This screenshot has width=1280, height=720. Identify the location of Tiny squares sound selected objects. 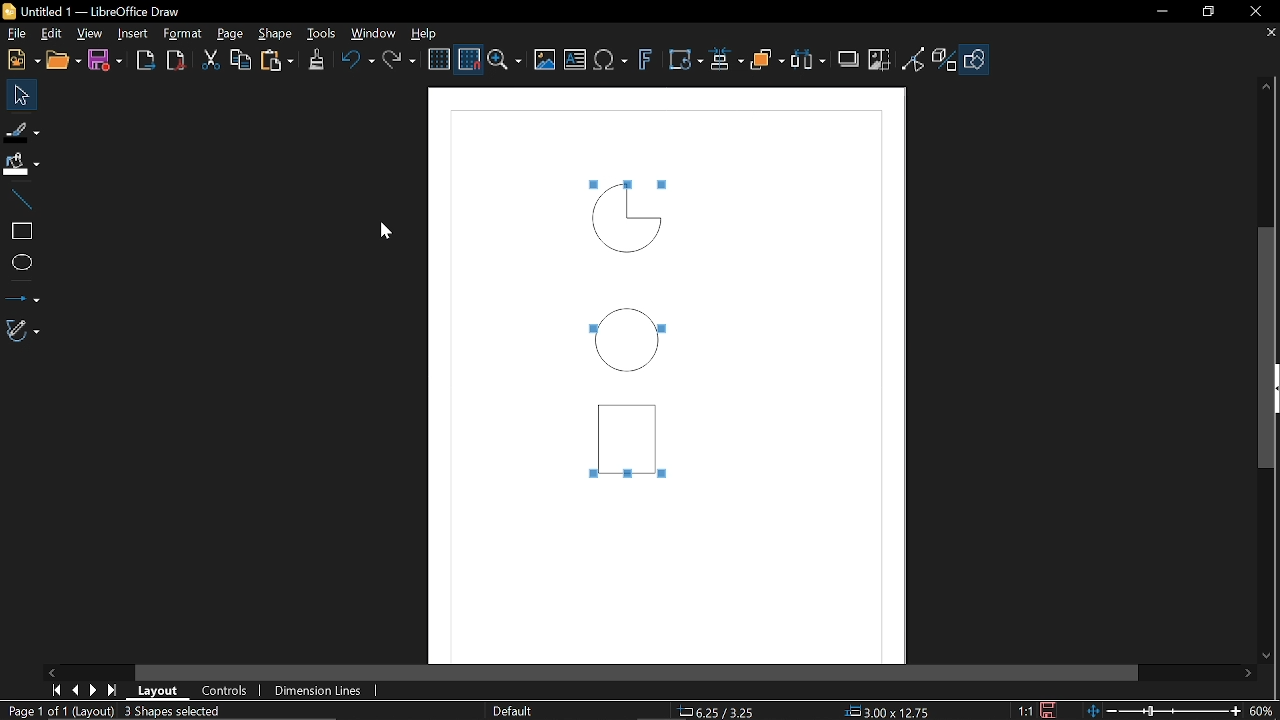
(670, 475).